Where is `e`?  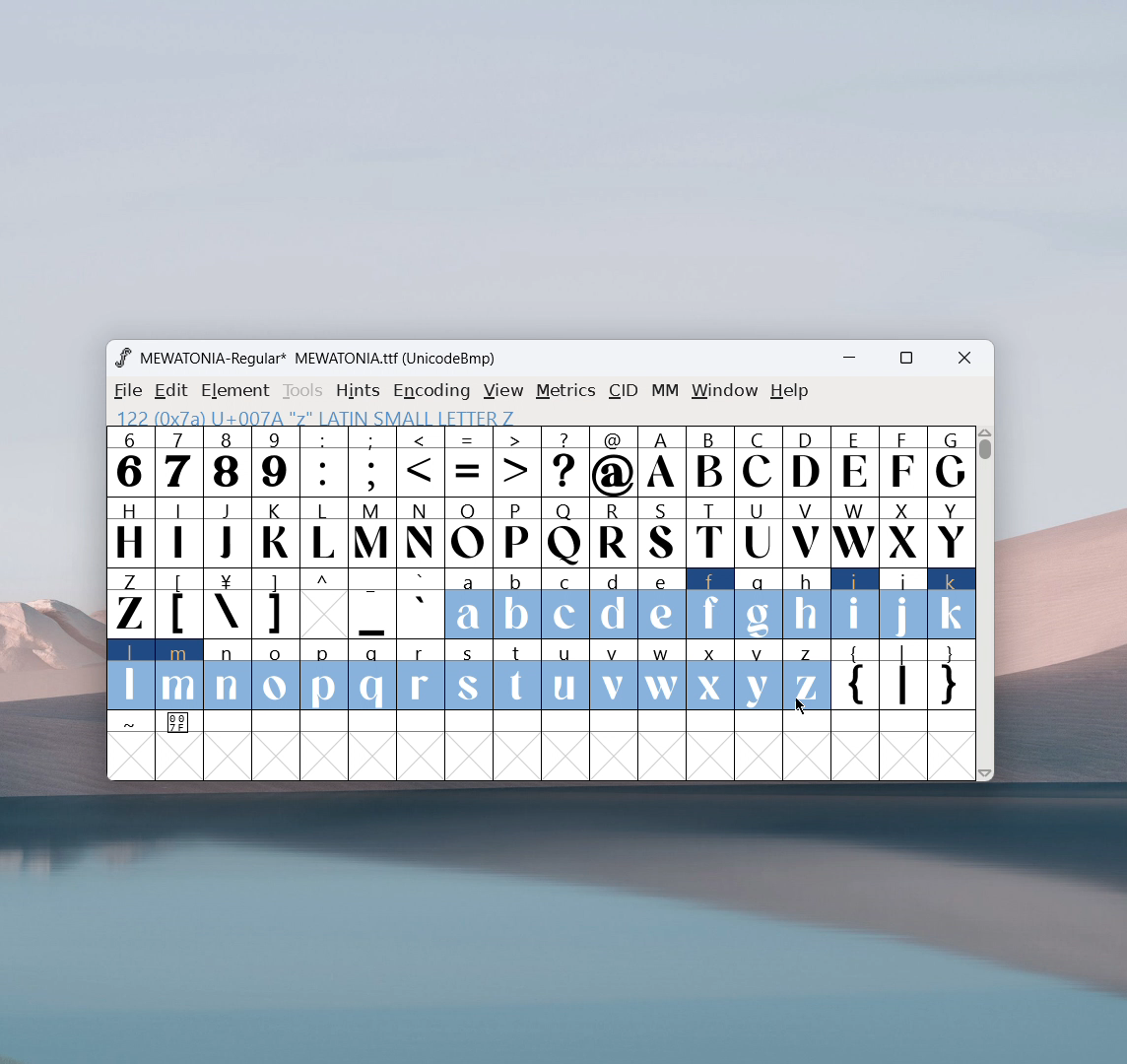 e is located at coordinates (662, 605).